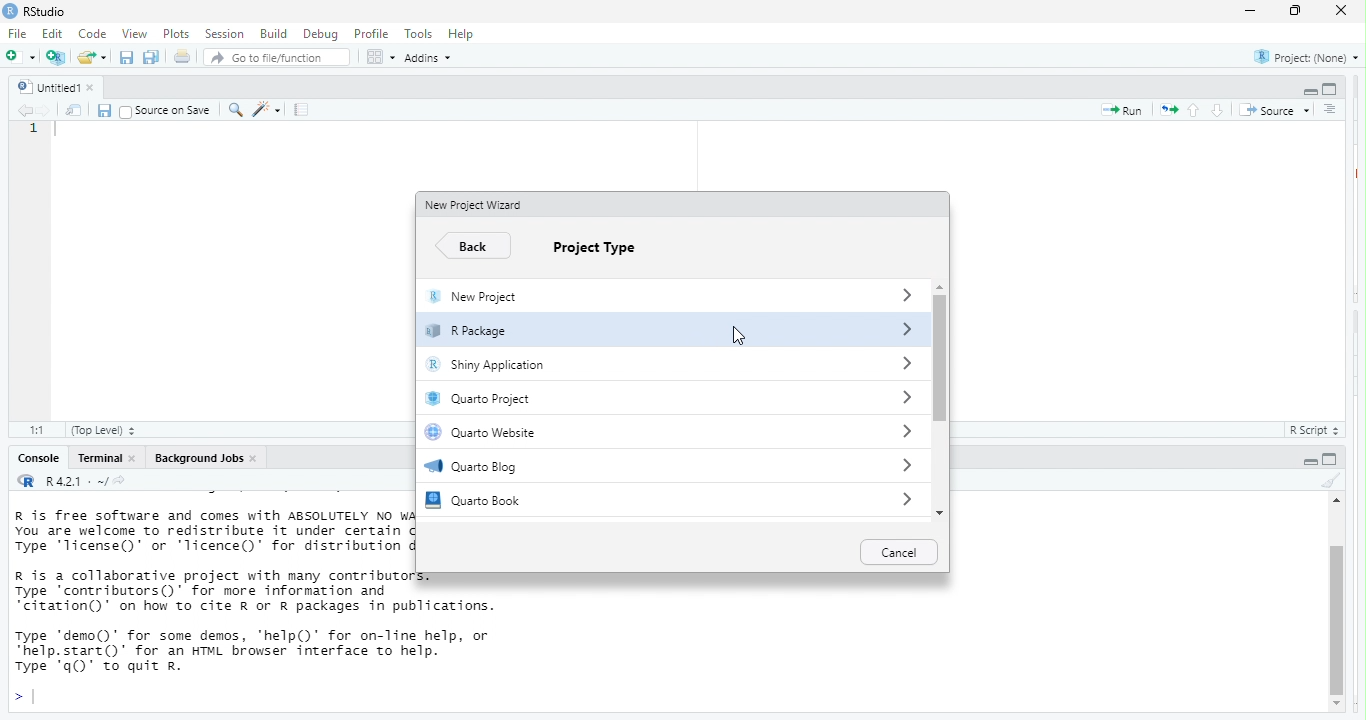 The width and height of the screenshot is (1366, 720). What do you see at coordinates (137, 459) in the screenshot?
I see `close` at bounding box center [137, 459].